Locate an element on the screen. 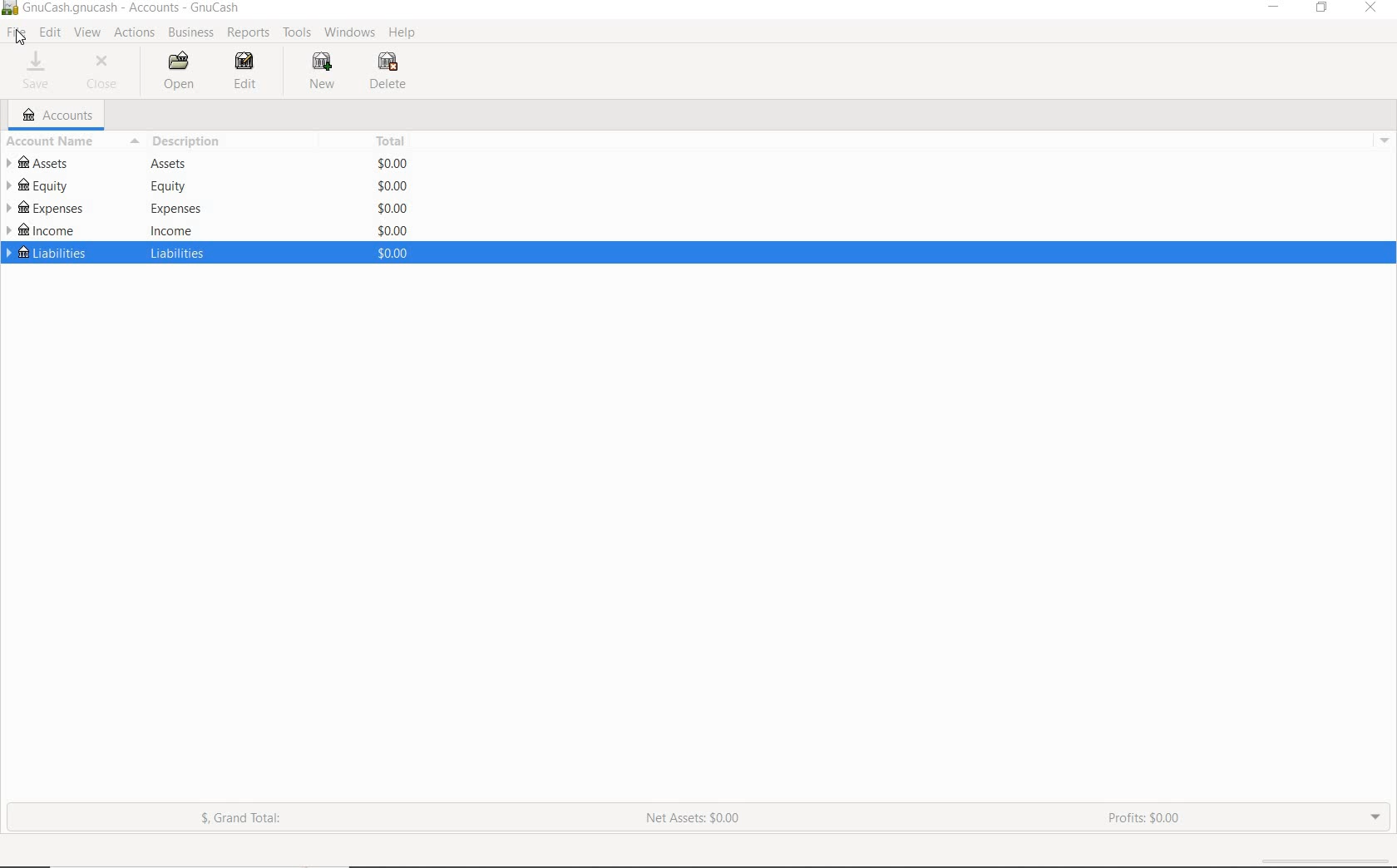  SYSTEM NAME is located at coordinates (126, 9).